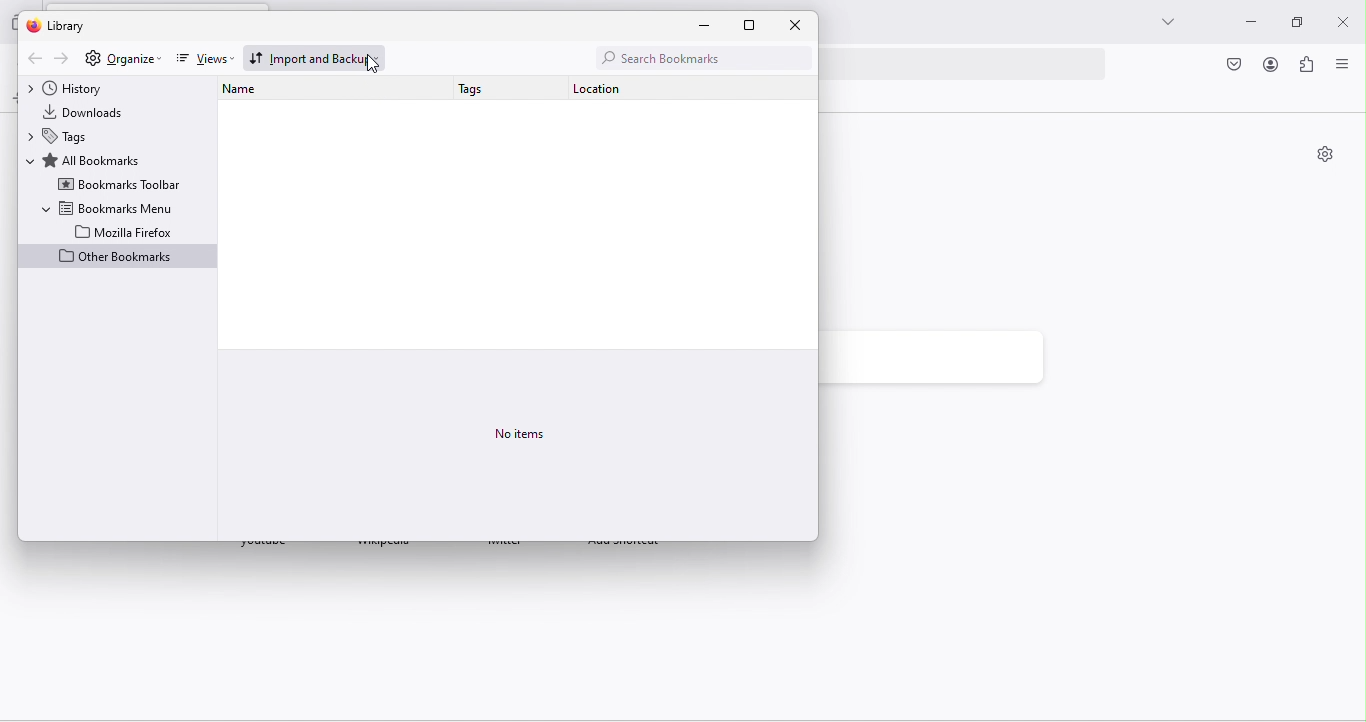  I want to click on more, so click(1165, 22).